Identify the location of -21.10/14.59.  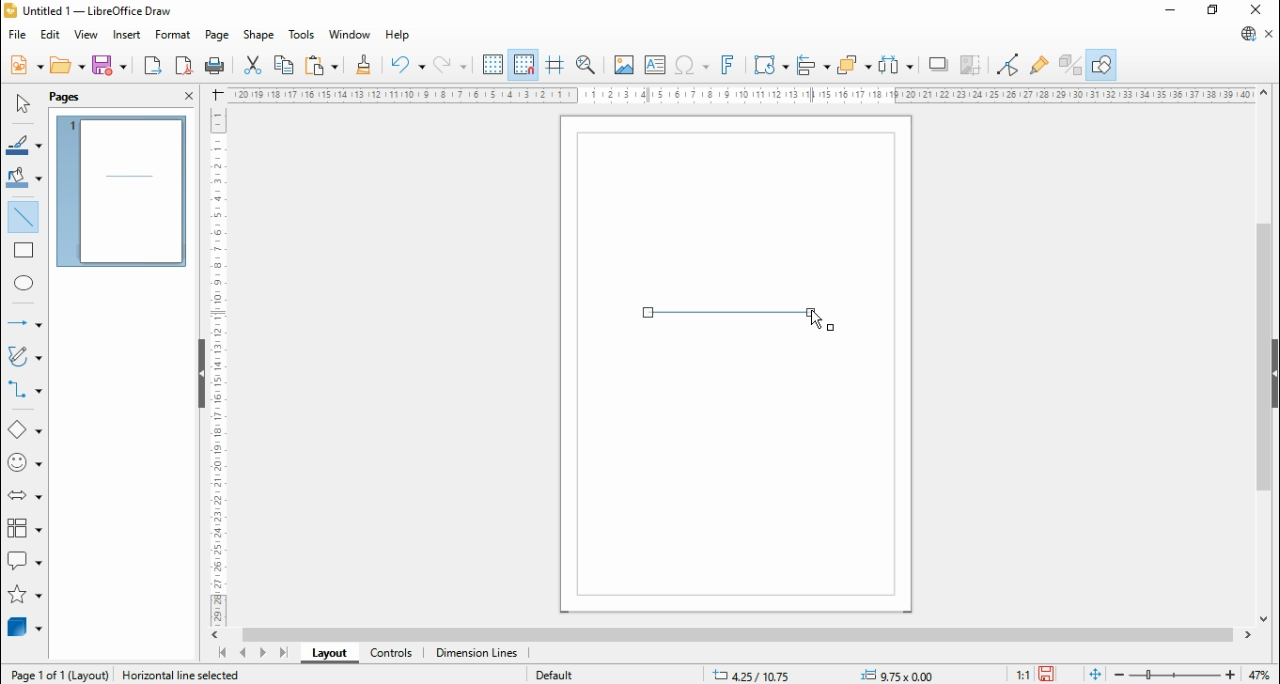
(763, 675).